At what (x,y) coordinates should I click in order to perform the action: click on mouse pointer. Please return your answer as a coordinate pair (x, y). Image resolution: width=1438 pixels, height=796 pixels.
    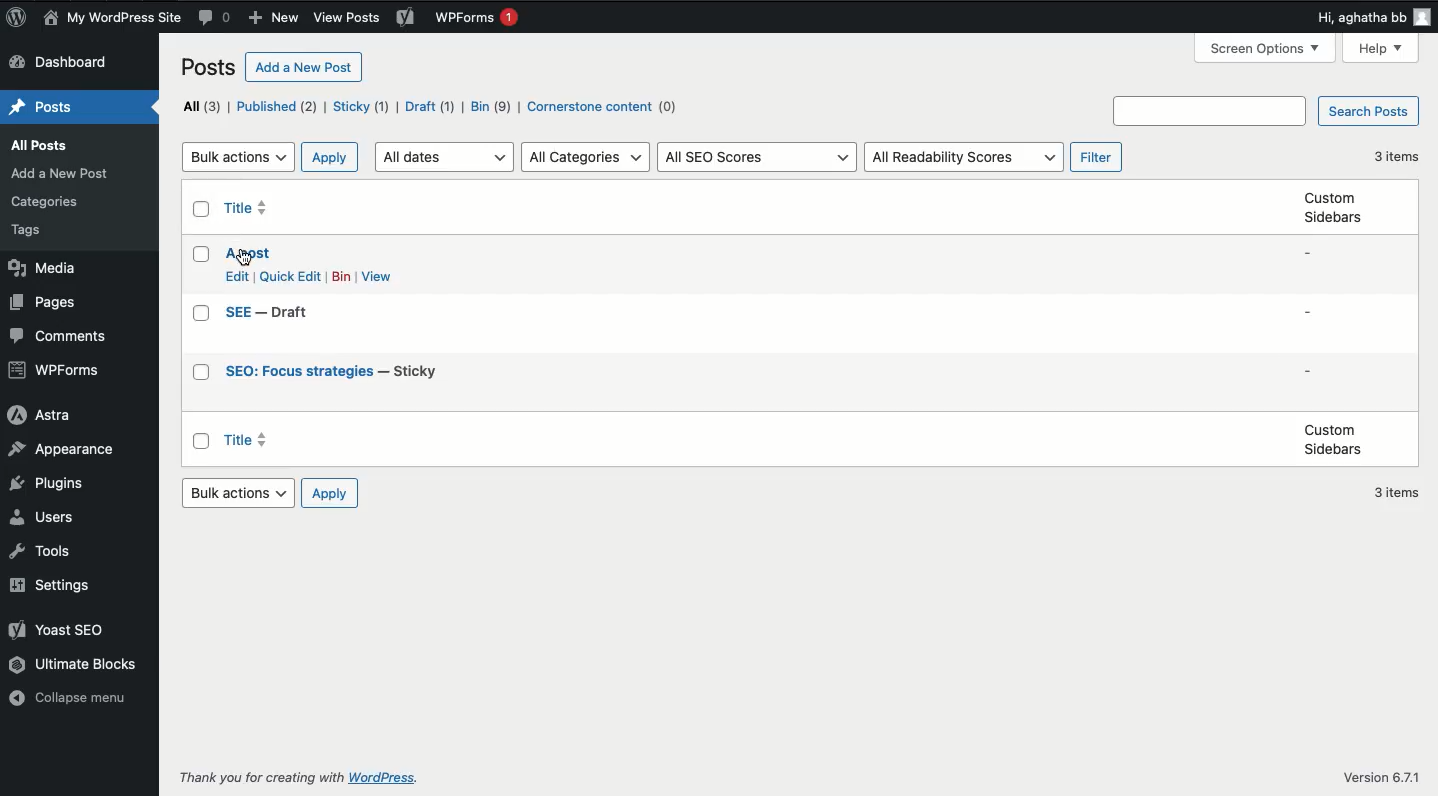
    Looking at the image, I should click on (247, 258).